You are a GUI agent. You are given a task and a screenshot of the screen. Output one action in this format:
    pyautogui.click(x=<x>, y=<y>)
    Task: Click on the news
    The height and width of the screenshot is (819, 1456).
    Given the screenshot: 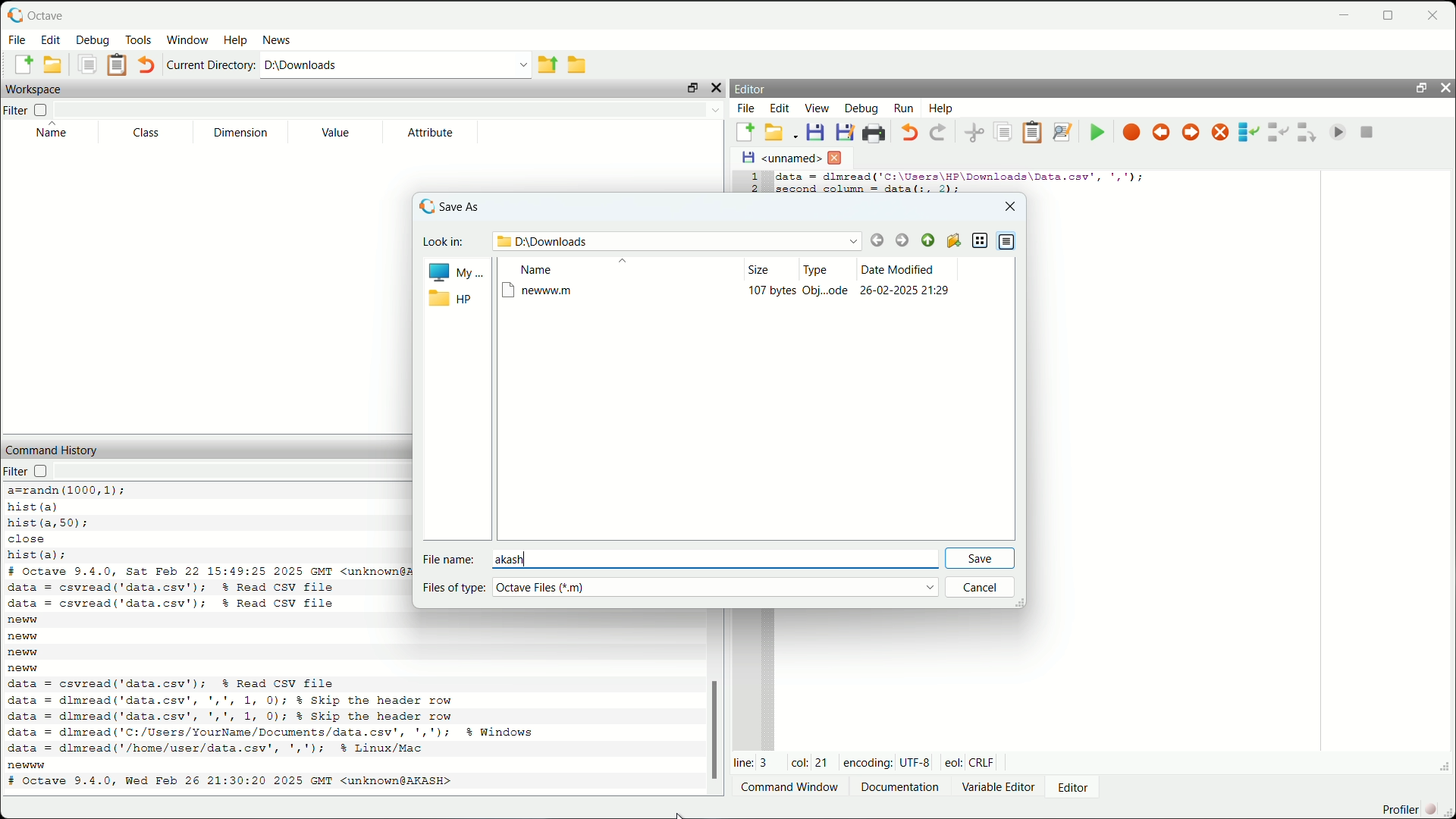 What is the action you would take?
    pyautogui.click(x=279, y=39)
    